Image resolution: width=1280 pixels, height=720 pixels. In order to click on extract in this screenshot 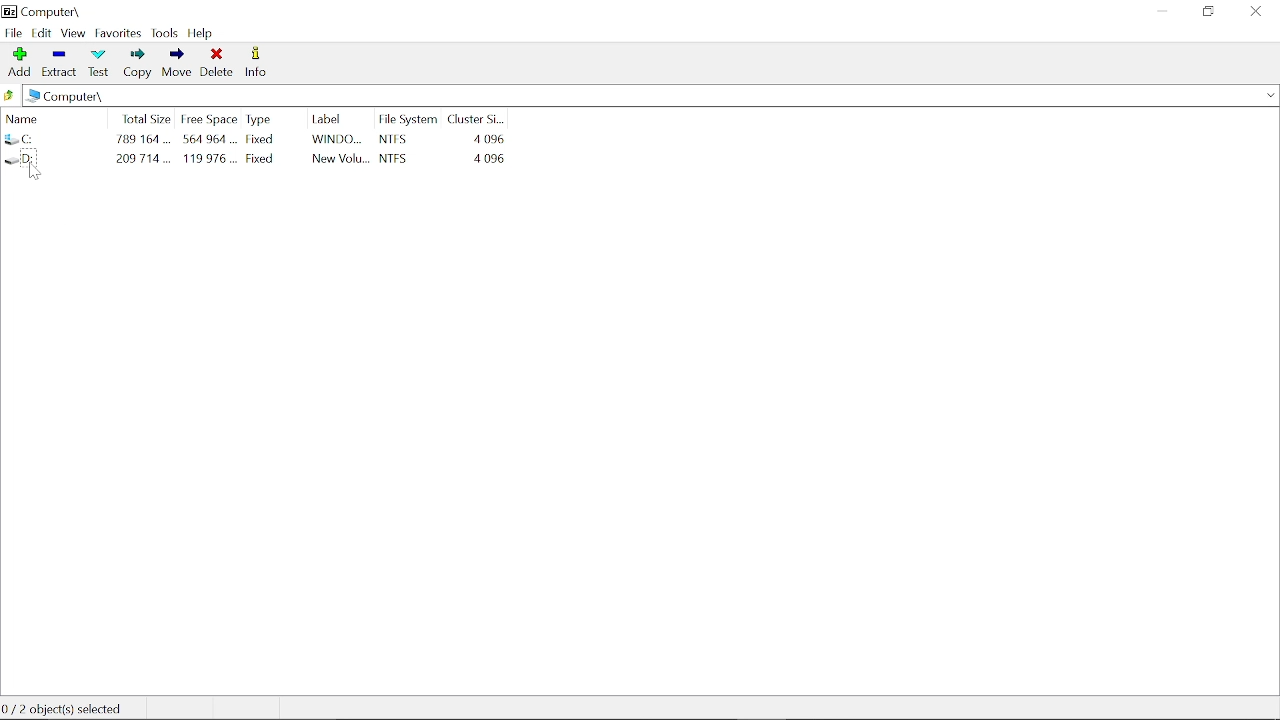, I will do `click(58, 61)`.